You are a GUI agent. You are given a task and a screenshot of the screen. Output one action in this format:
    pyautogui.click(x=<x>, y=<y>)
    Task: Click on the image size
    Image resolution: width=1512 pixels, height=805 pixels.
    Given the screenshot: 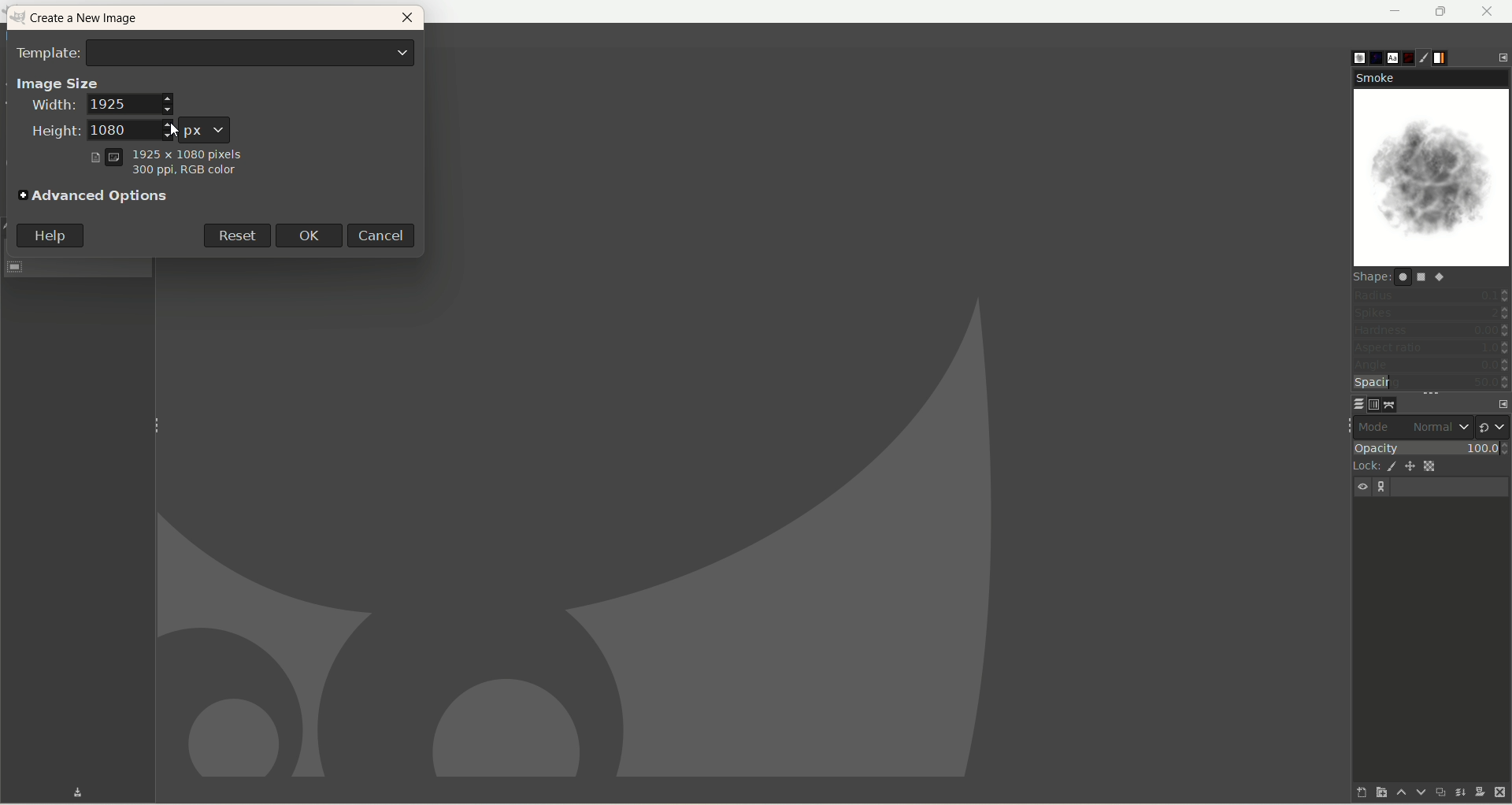 What is the action you would take?
    pyautogui.click(x=57, y=82)
    